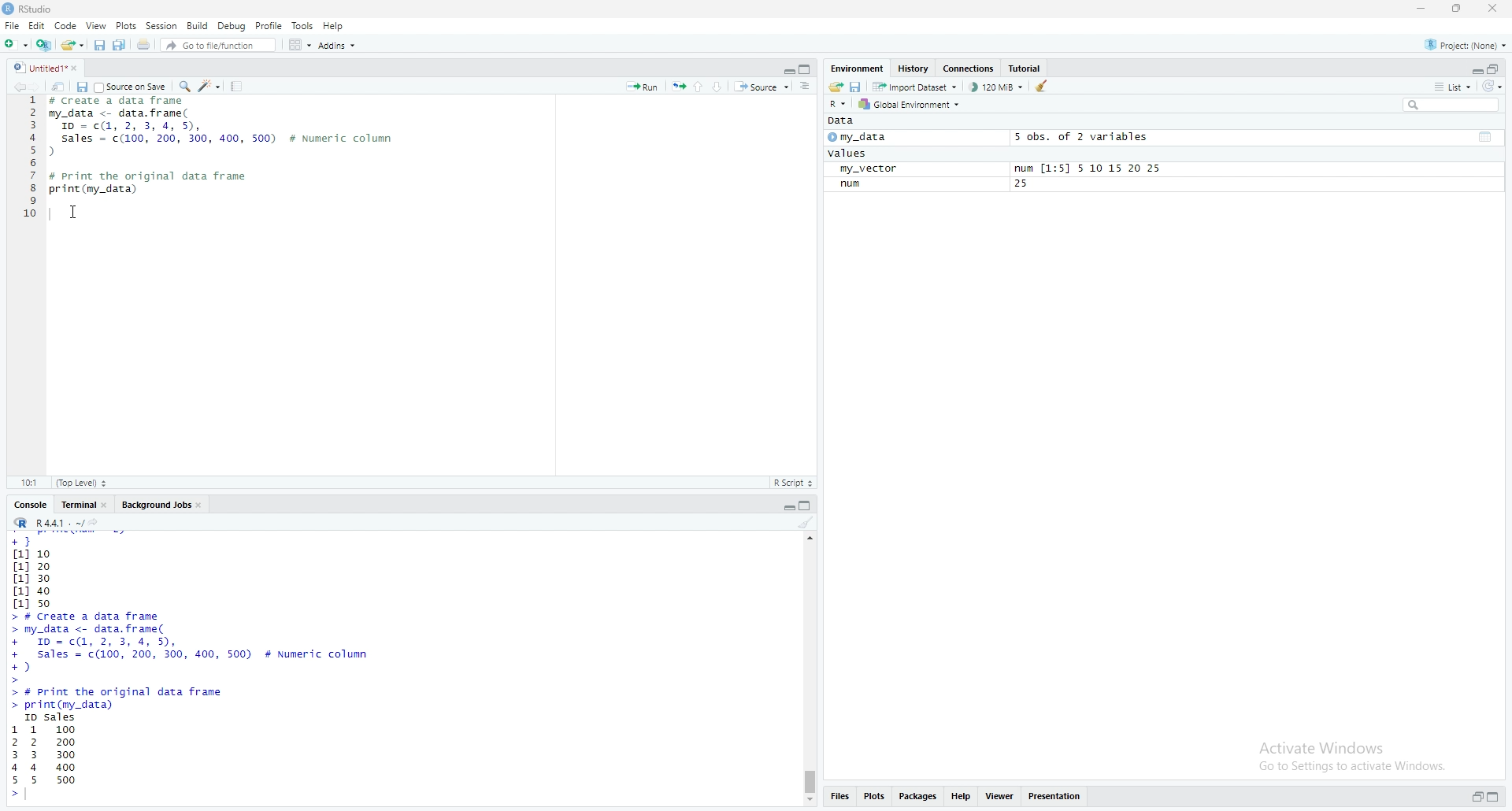  Describe the element at coordinates (297, 46) in the screenshot. I see `workspace panes` at that location.